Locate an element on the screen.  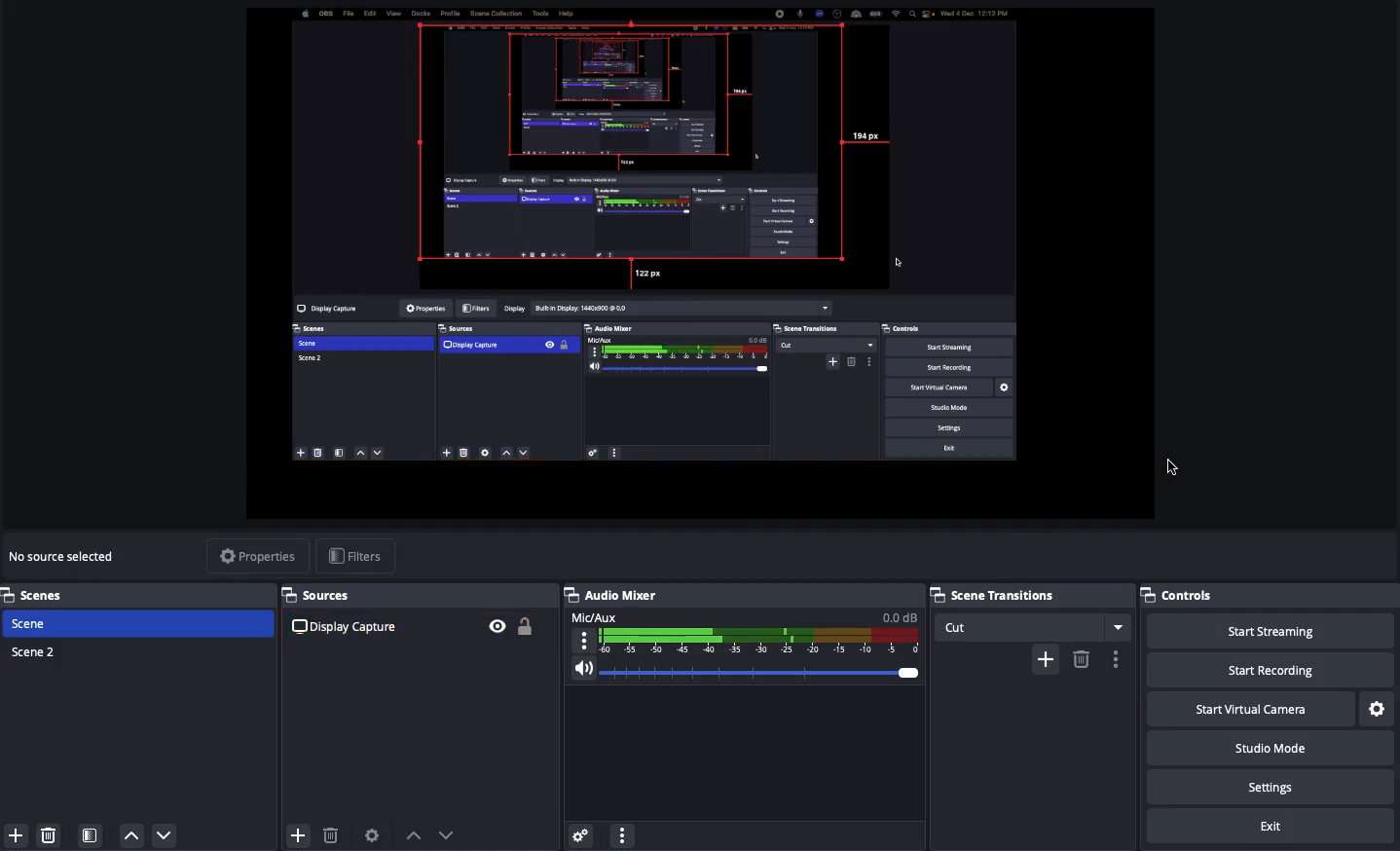
More is located at coordinates (621, 833).